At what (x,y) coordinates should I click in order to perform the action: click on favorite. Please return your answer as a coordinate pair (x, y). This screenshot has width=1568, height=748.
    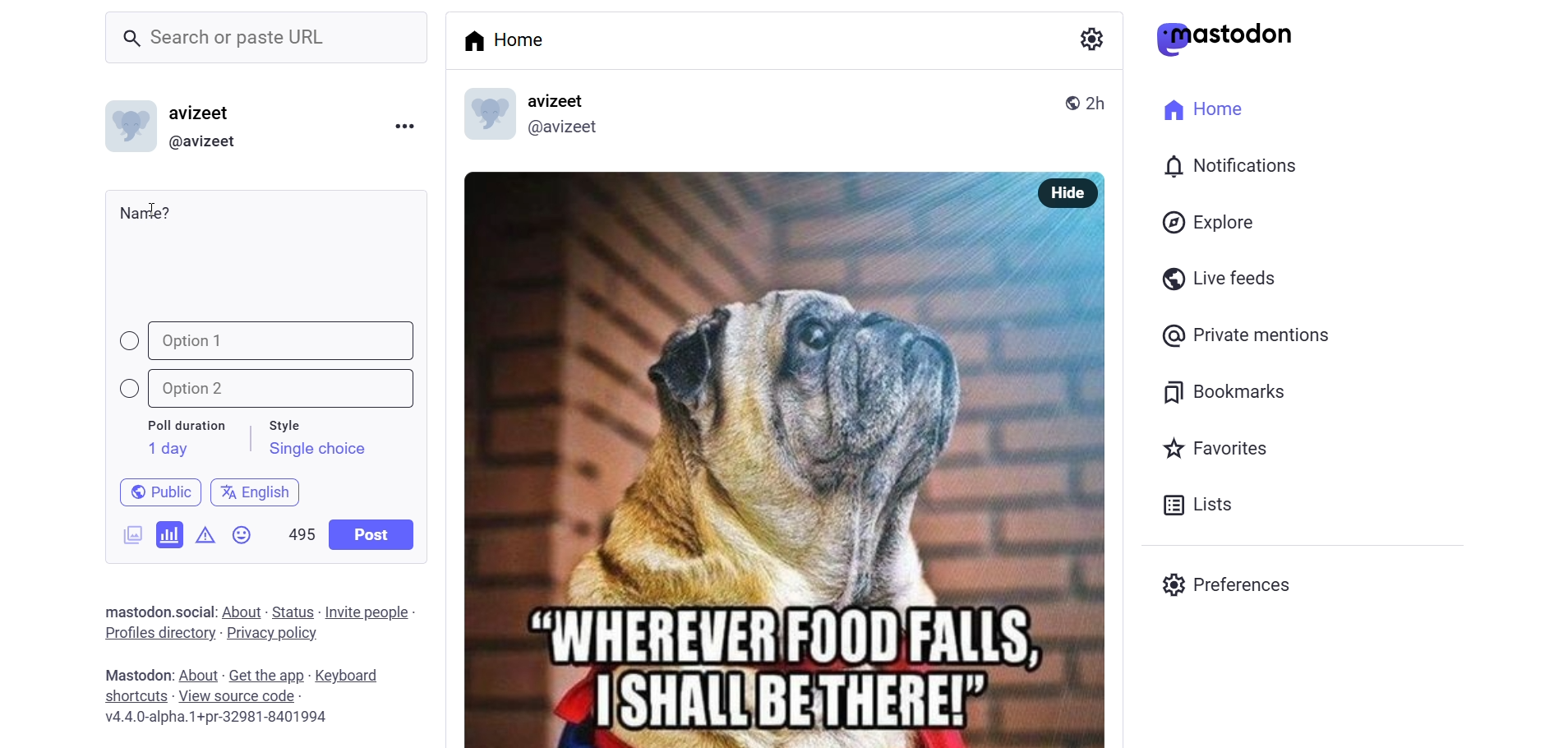
    Looking at the image, I should click on (1213, 450).